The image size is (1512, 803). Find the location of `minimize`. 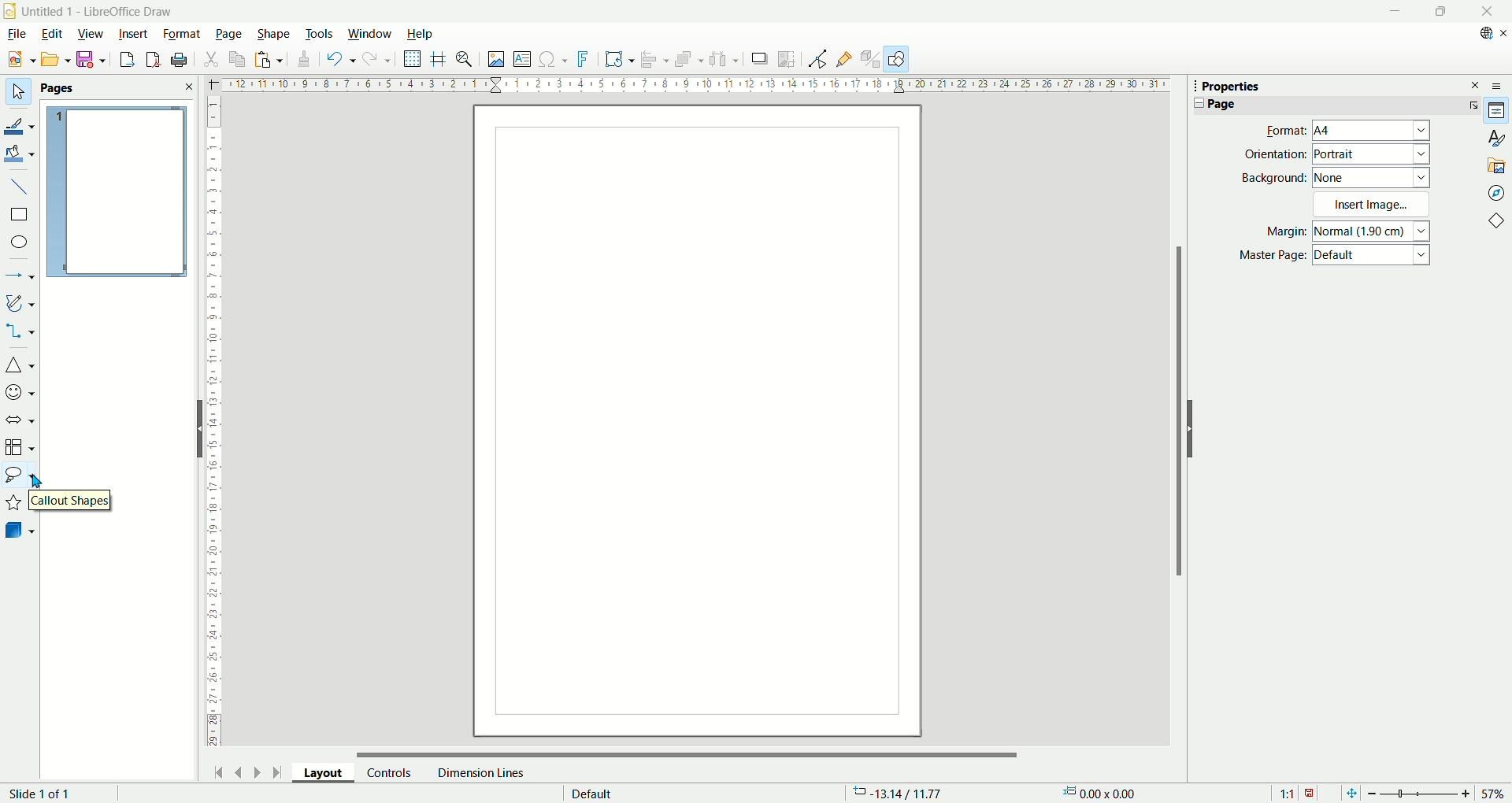

minimize is located at coordinates (1393, 12).